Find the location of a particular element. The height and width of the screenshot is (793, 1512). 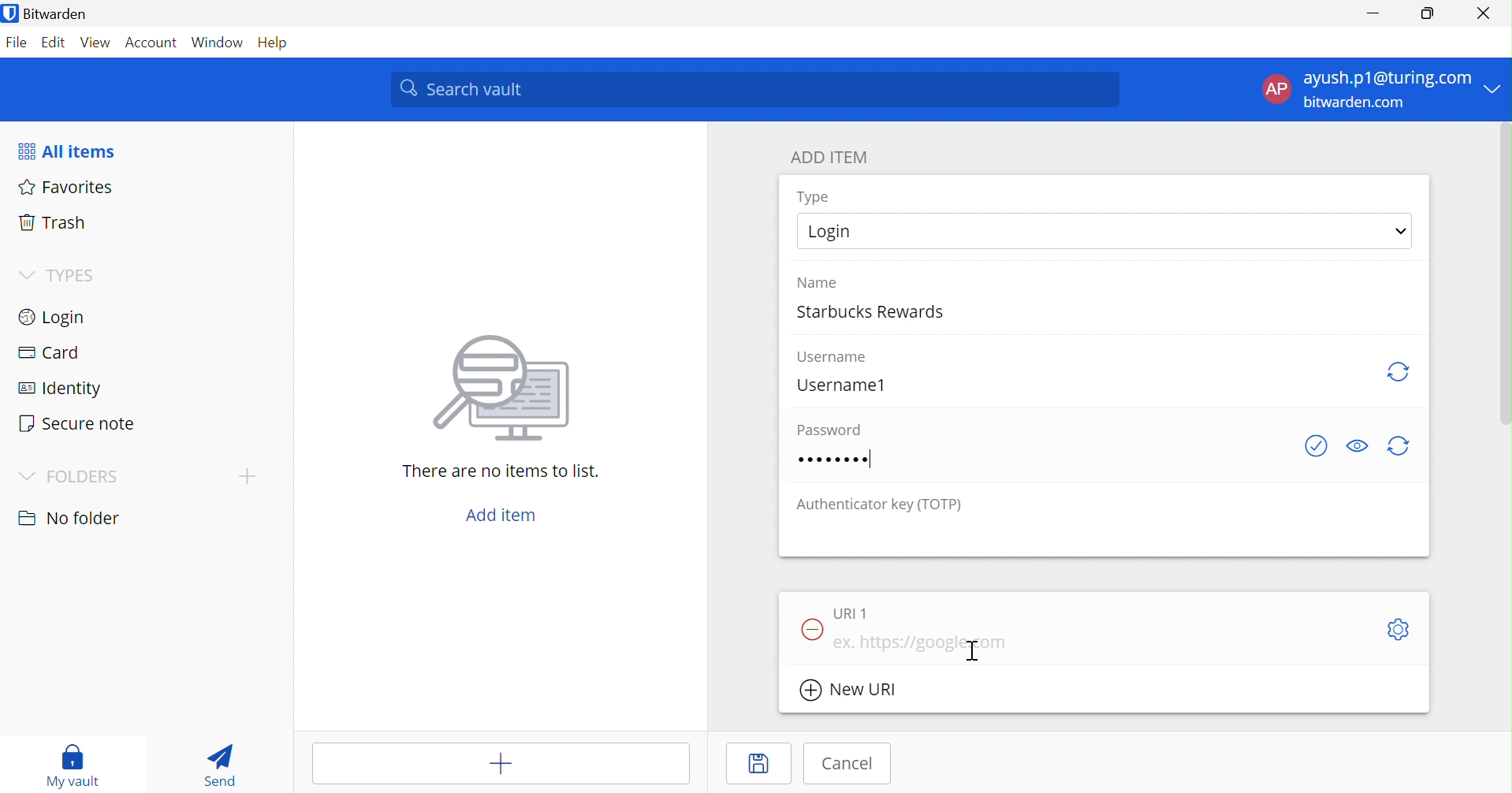

AP is located at coordinates (1276, 91).